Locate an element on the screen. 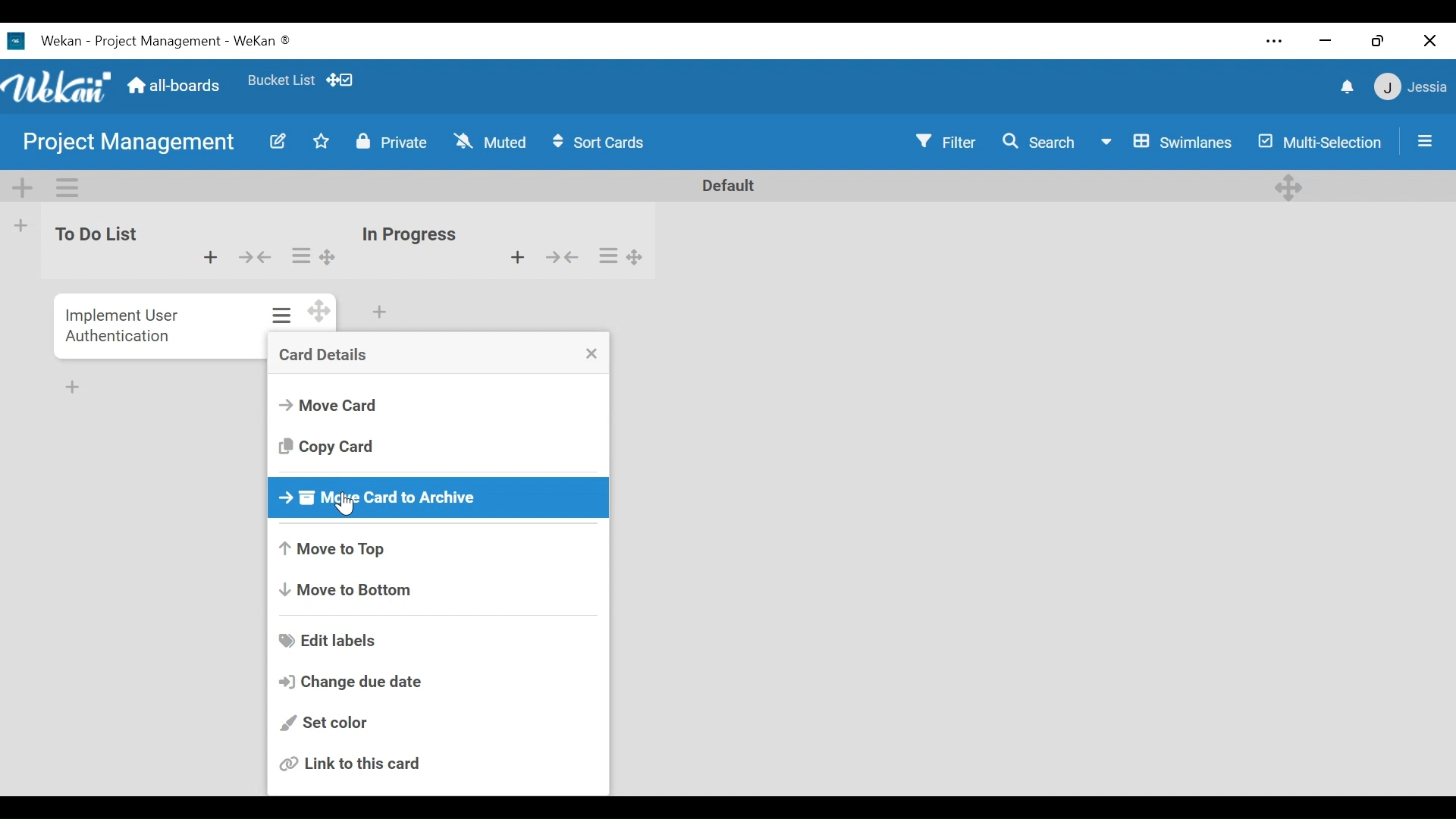  Default is located at coordinates (724, 185).